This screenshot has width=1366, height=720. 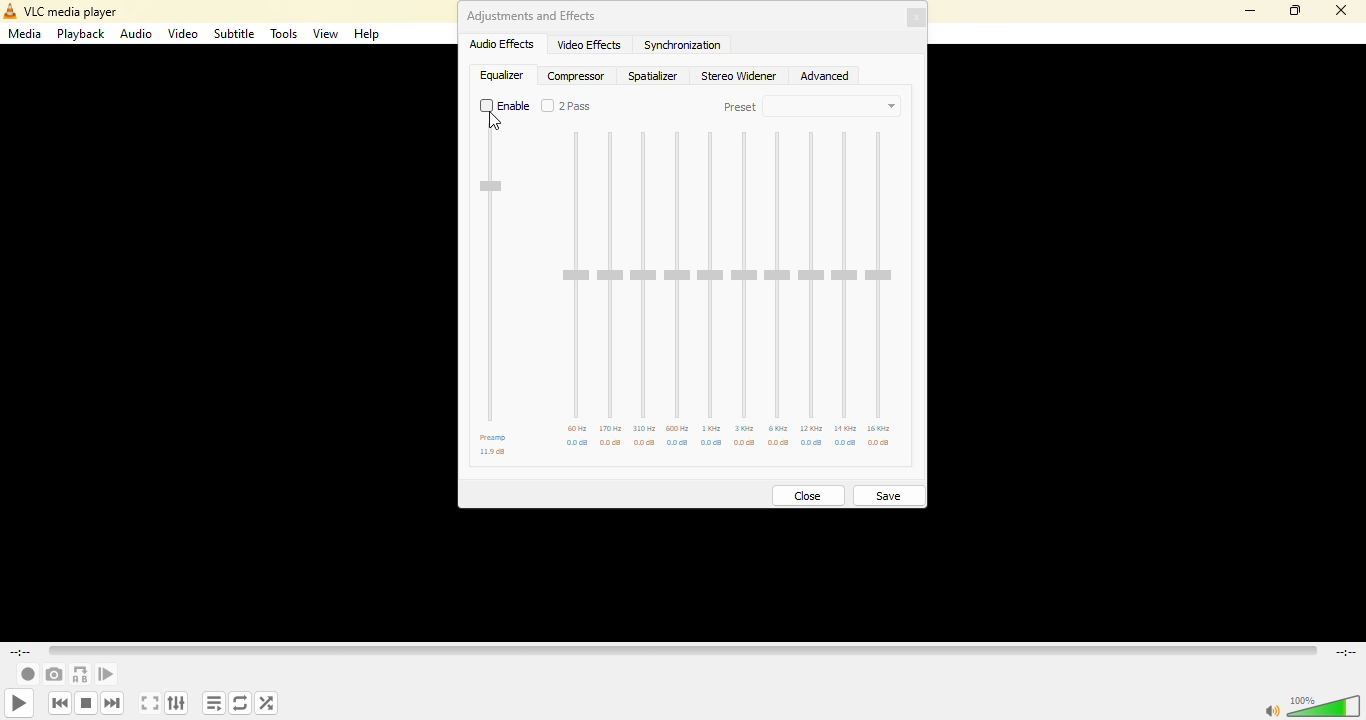 I want to click on db, so click(x=878, y=443).